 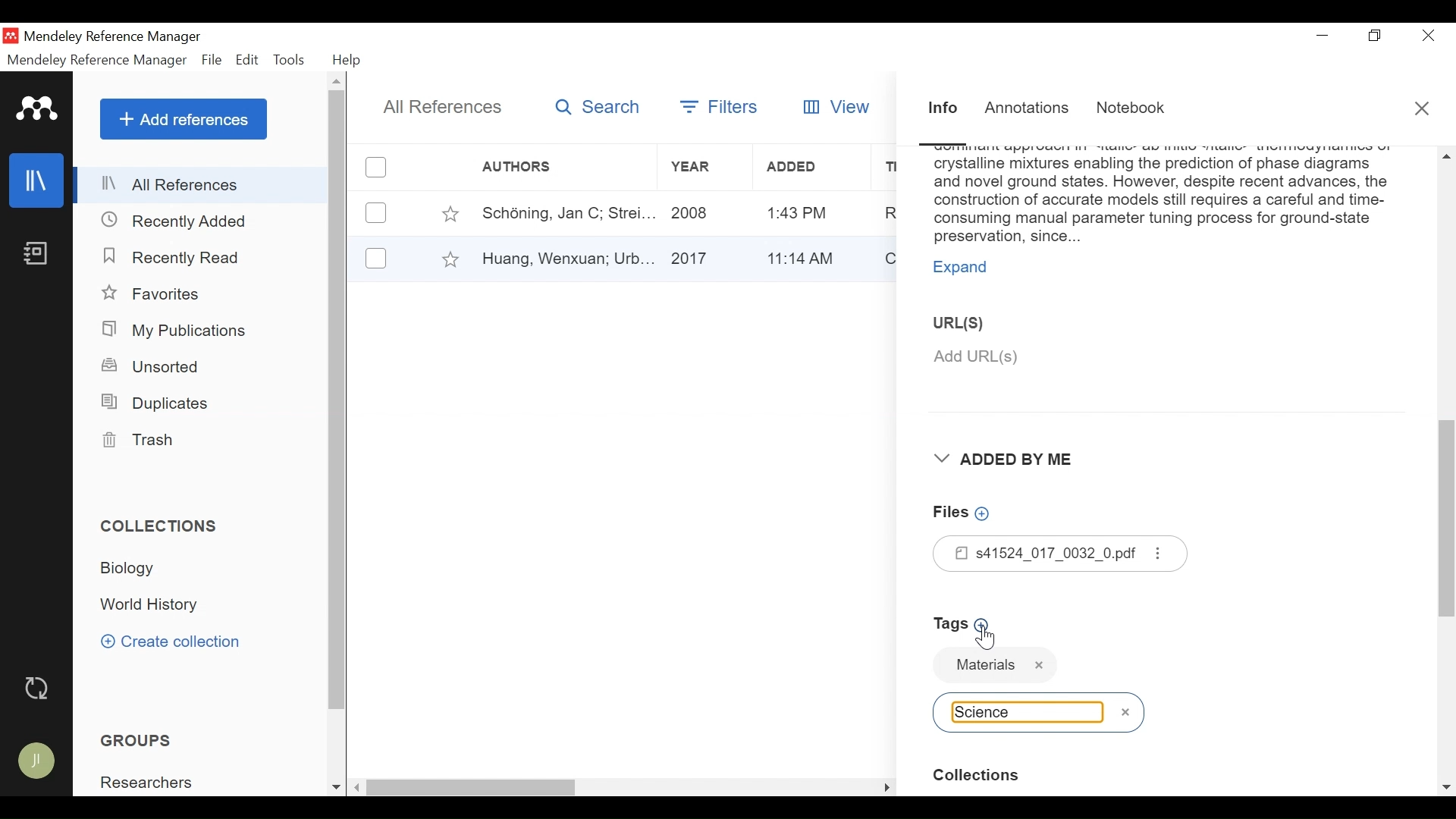 I want to click on (un)select all, so click(x=376, y=168).